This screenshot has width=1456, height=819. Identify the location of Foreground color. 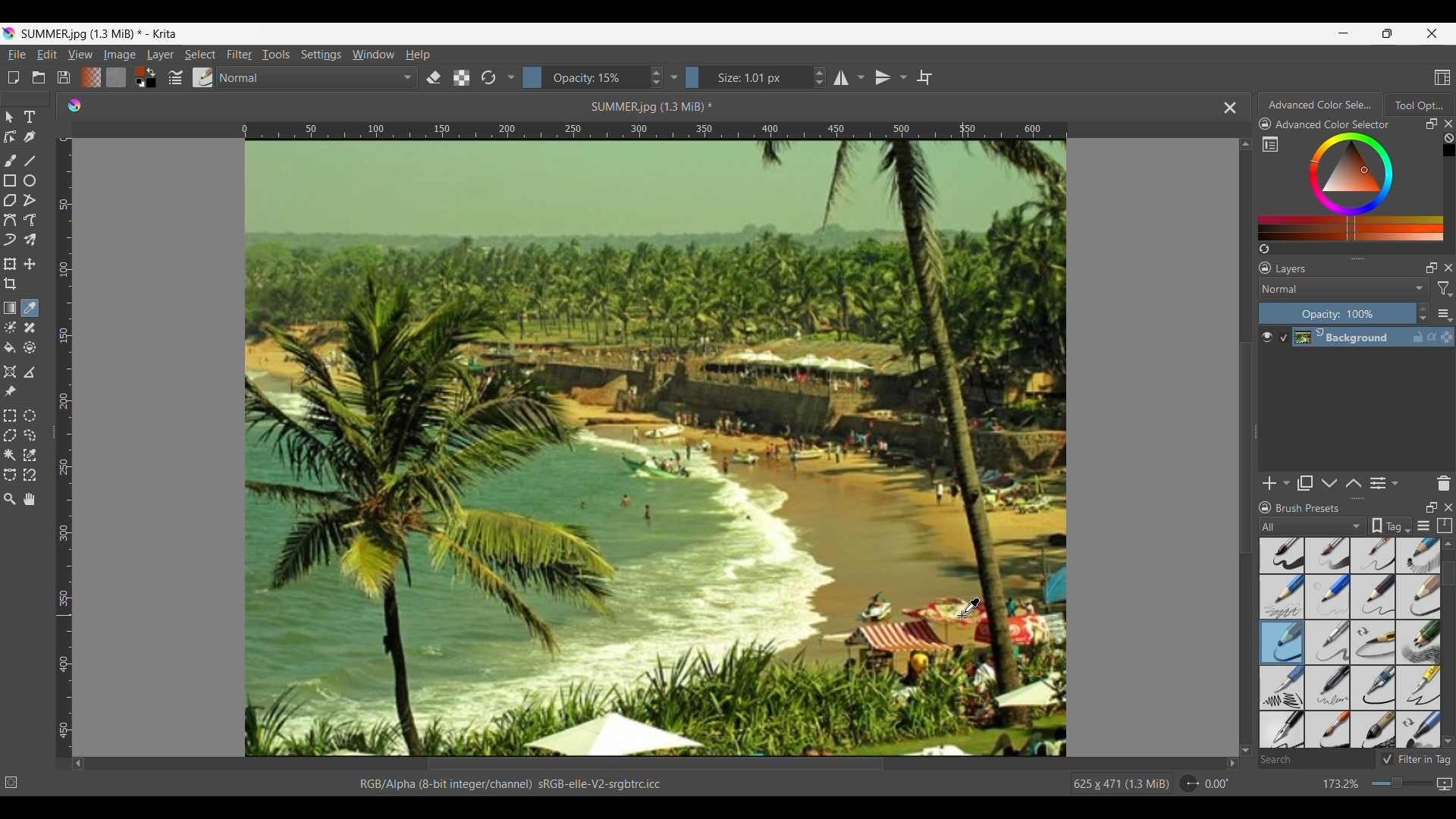
(135, 71).